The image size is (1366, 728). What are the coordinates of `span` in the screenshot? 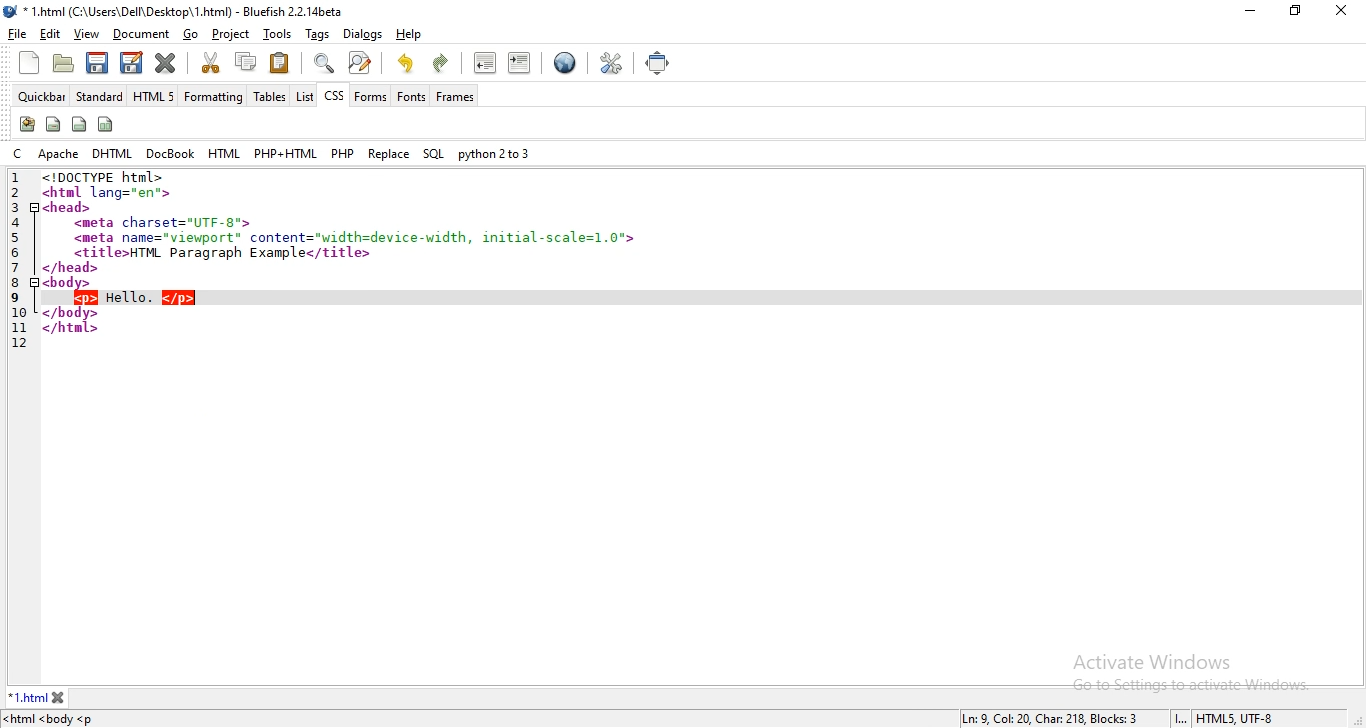 It's located at (54, 123).